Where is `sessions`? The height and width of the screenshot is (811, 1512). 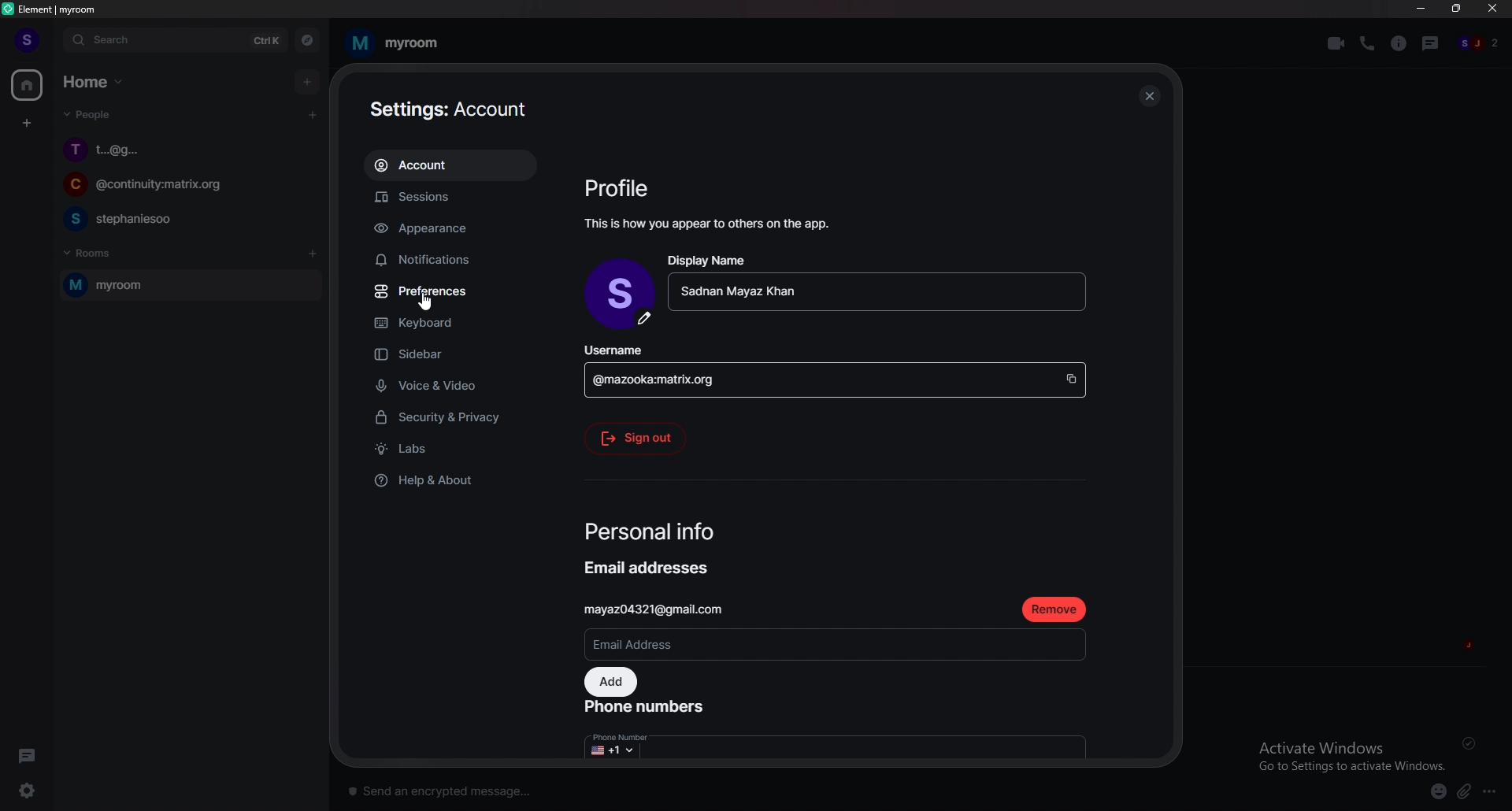 sessions is located at coordinates (449, 198).